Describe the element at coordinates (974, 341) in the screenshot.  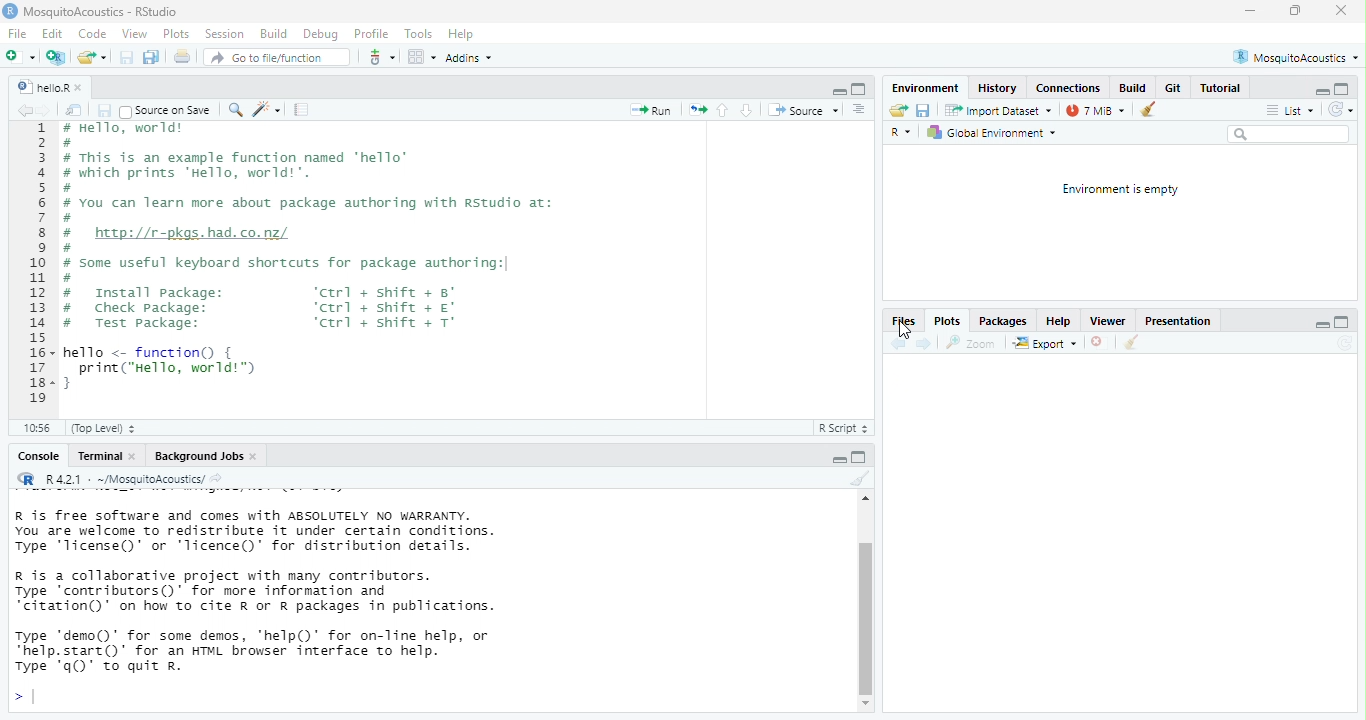
I see `zoom` at that location.